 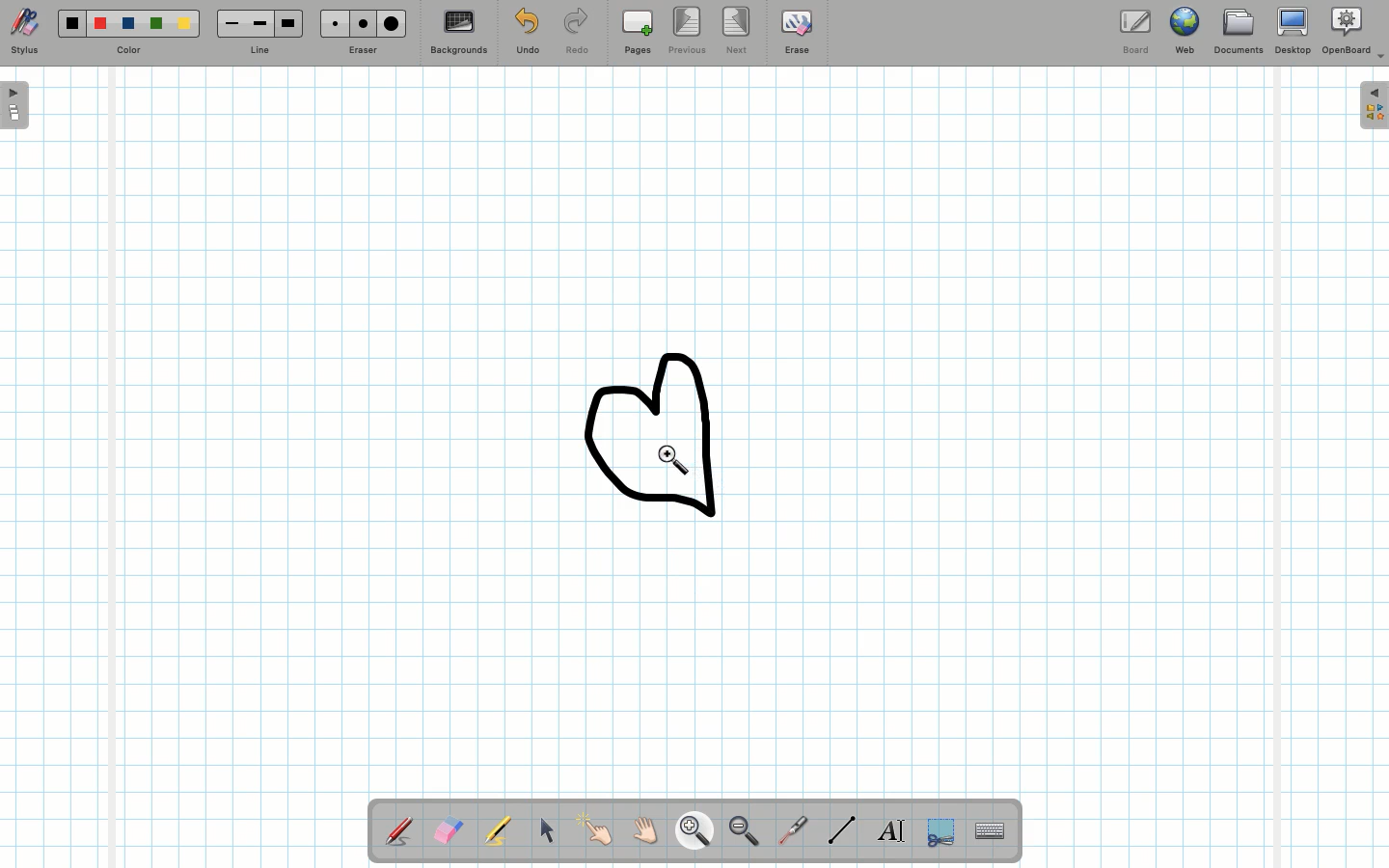 What do you see at coordinates (1237, 32) in the screenshot?
I see `Documents` at bounding box center [1237, 32].